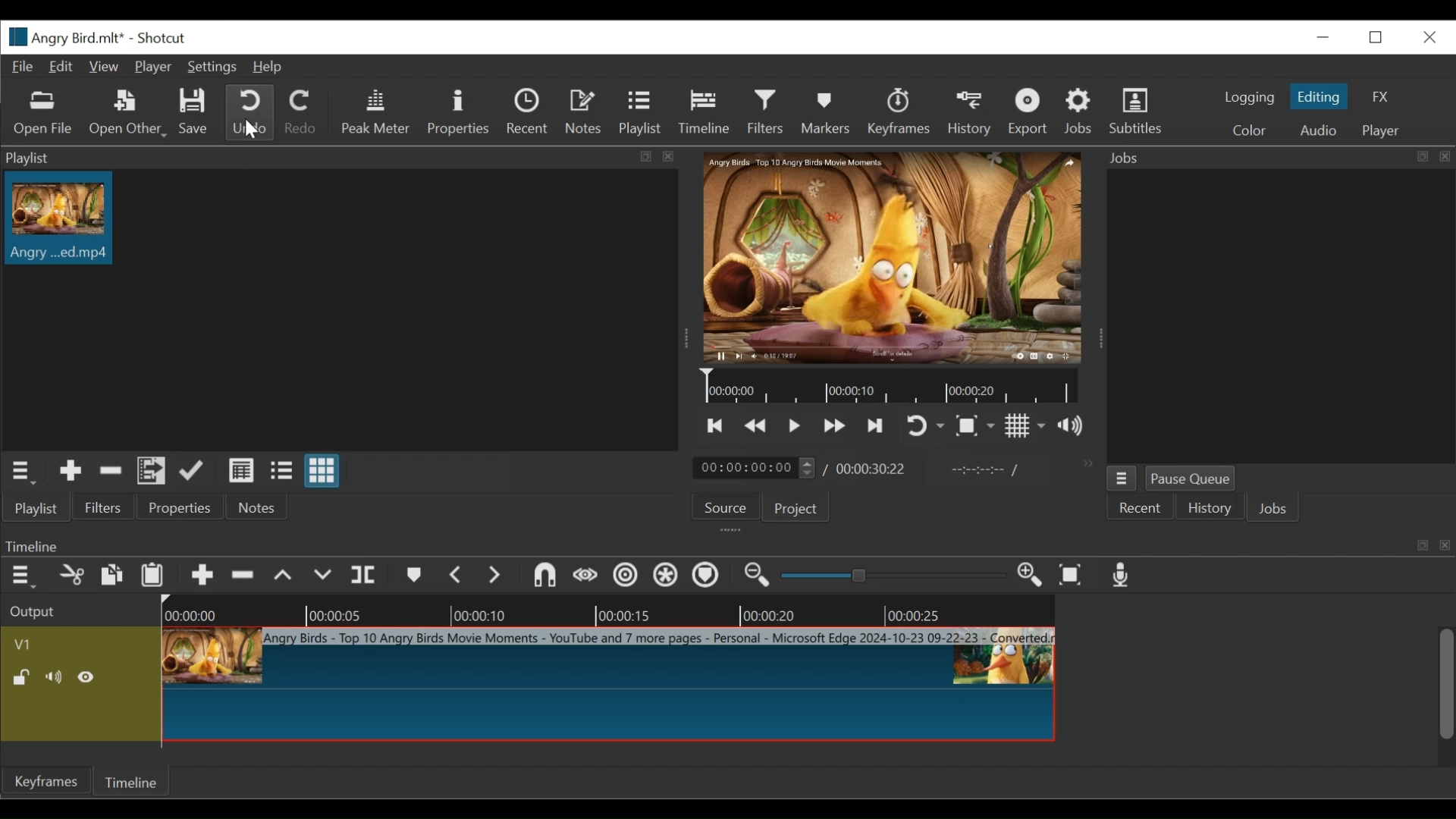 This screenshot has height=819, width=1456. I want to click on Timeline, so click(128, 781).